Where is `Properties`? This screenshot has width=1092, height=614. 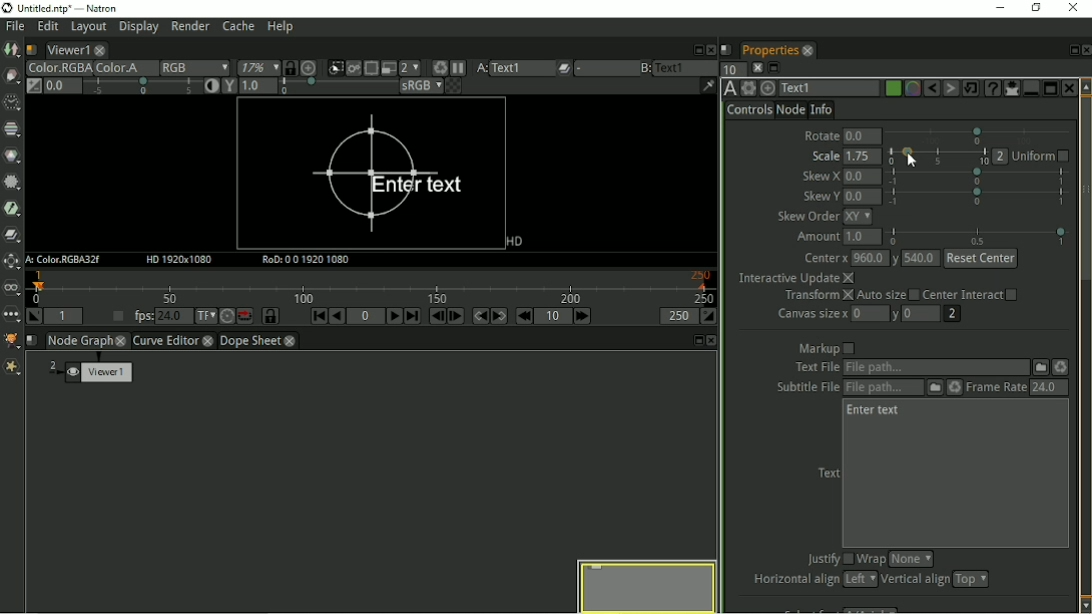
Properties is located at coordinates (778, 49).